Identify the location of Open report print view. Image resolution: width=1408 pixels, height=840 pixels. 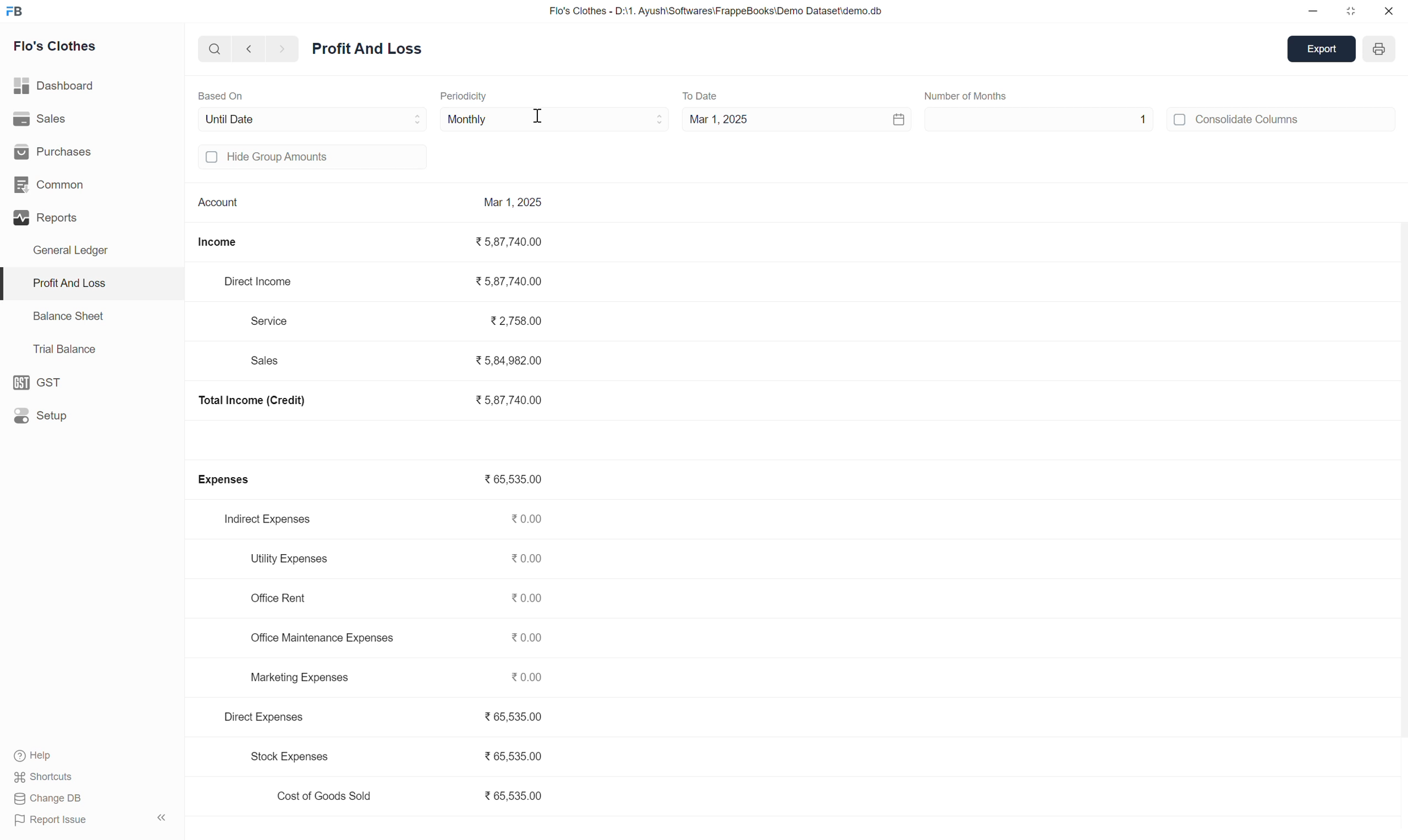
(1377, 49).